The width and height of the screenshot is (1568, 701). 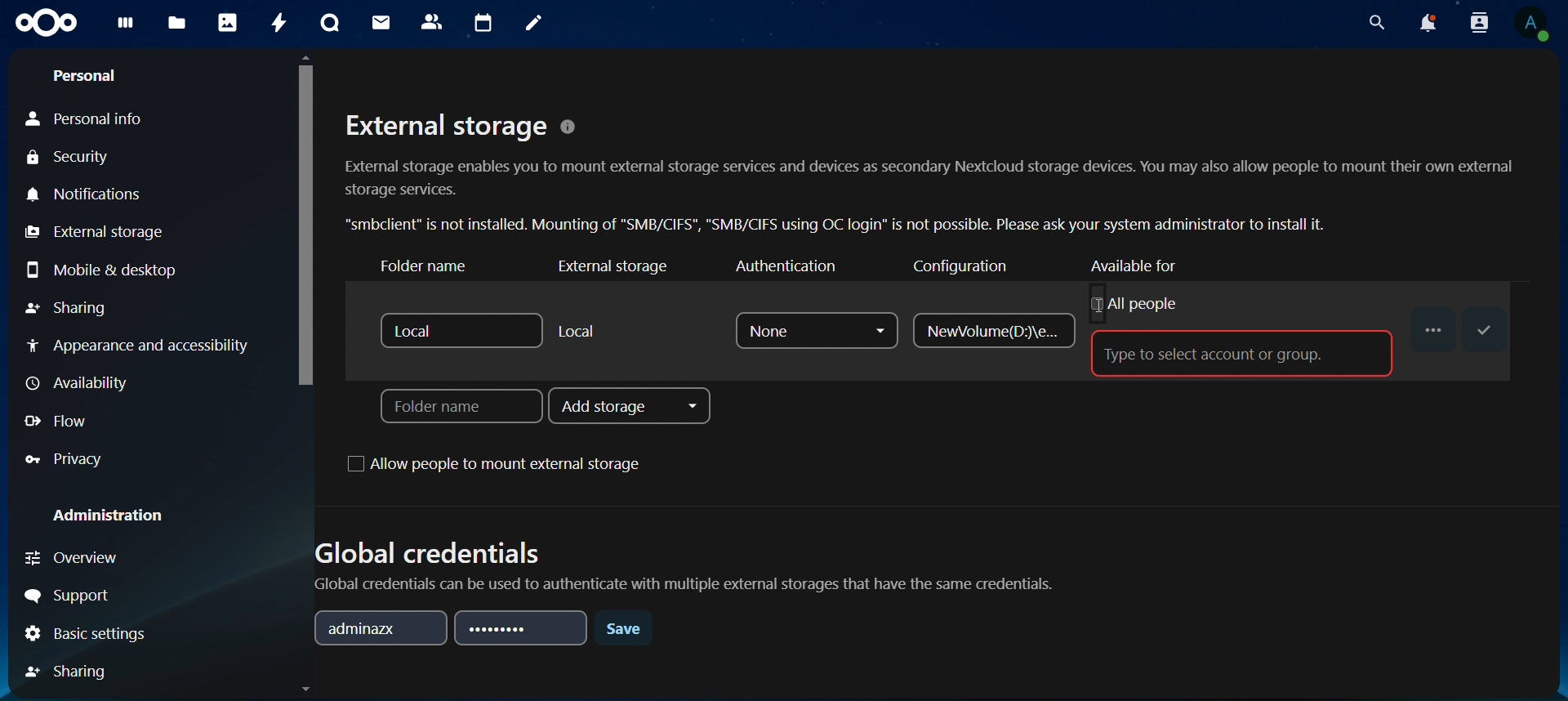 I want to click on notes, so click(x=532, y=23).